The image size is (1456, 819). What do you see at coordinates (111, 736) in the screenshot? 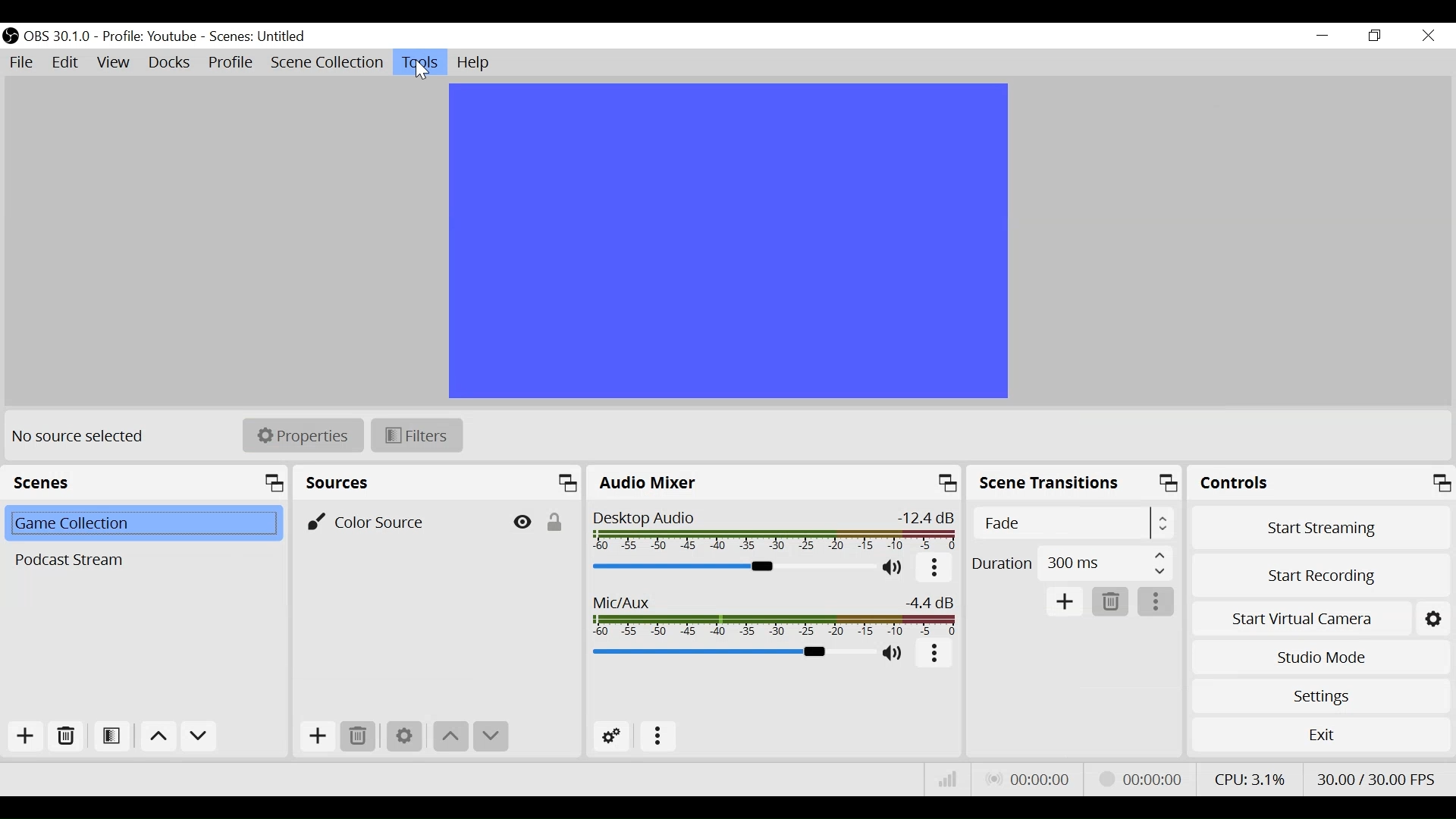
I see `Open Scene Filter` at bounding box center [111, 736].